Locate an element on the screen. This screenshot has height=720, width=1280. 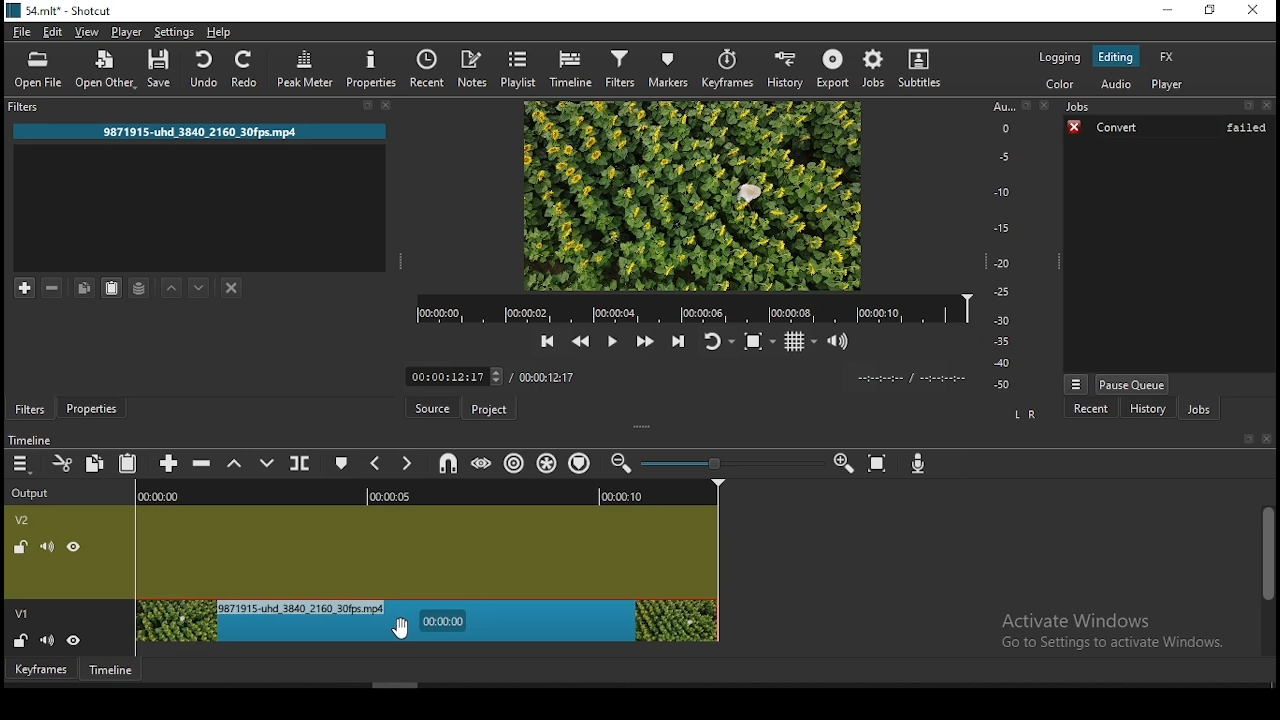
toggle zoo is located at coordinates (757, 342).